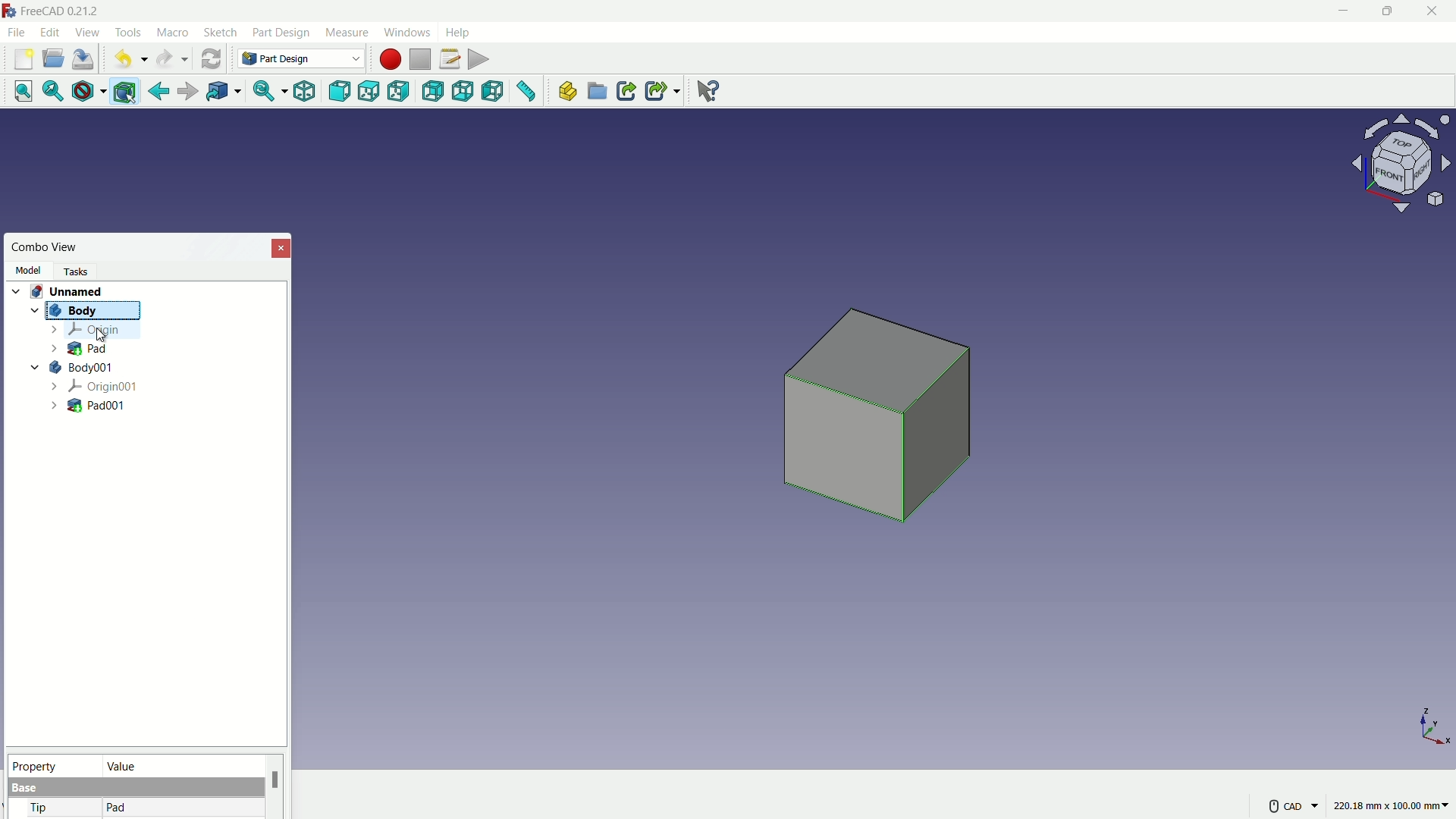  Describe the element at coordinates (80, 270) in the screenshot. I see `task` at that location.